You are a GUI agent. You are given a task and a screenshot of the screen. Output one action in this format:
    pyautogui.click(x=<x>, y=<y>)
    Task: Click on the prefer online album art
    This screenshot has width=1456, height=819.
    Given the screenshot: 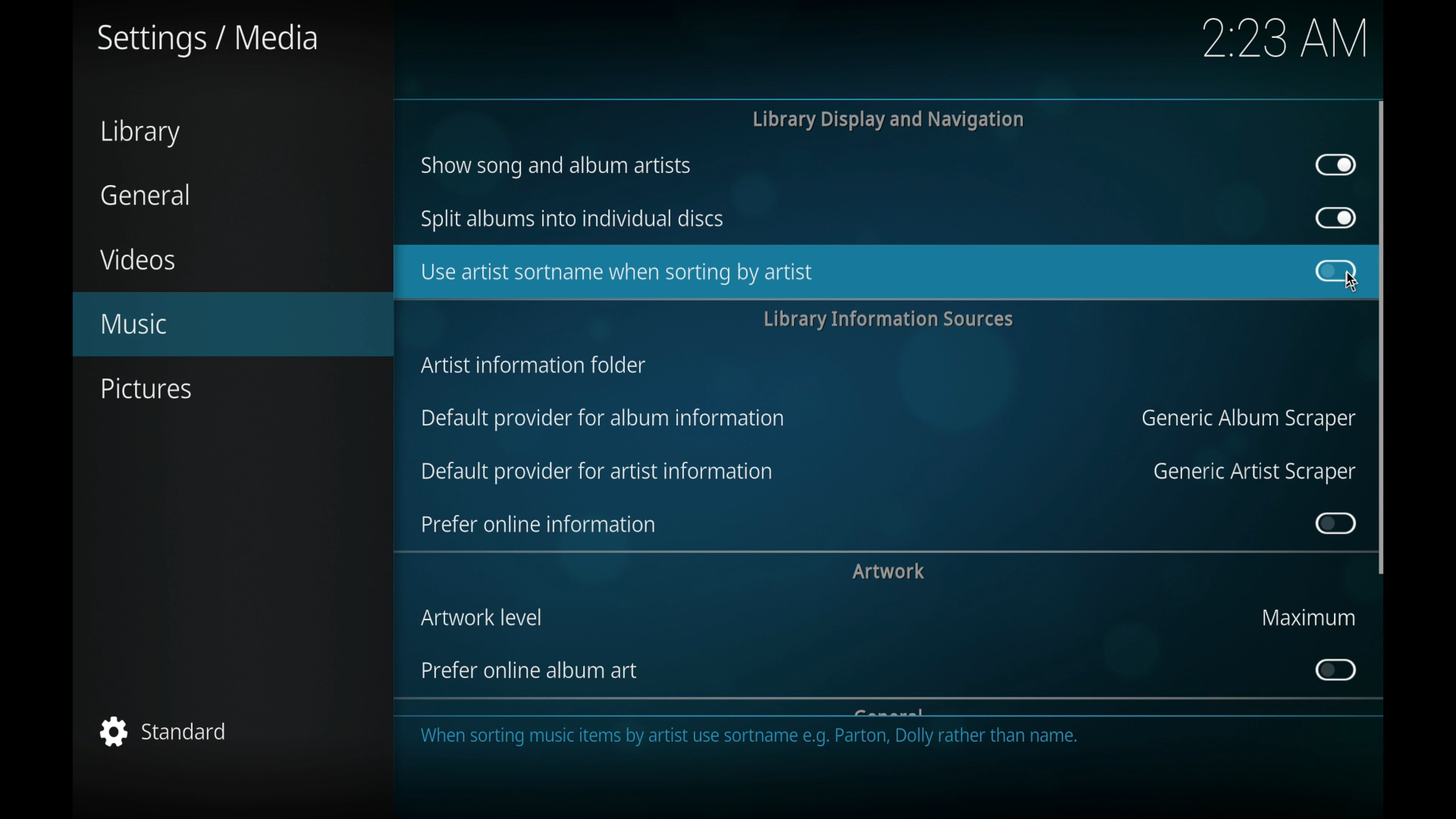 What is the action you would take?
    pyautogui.click(x=532, y=670)
    